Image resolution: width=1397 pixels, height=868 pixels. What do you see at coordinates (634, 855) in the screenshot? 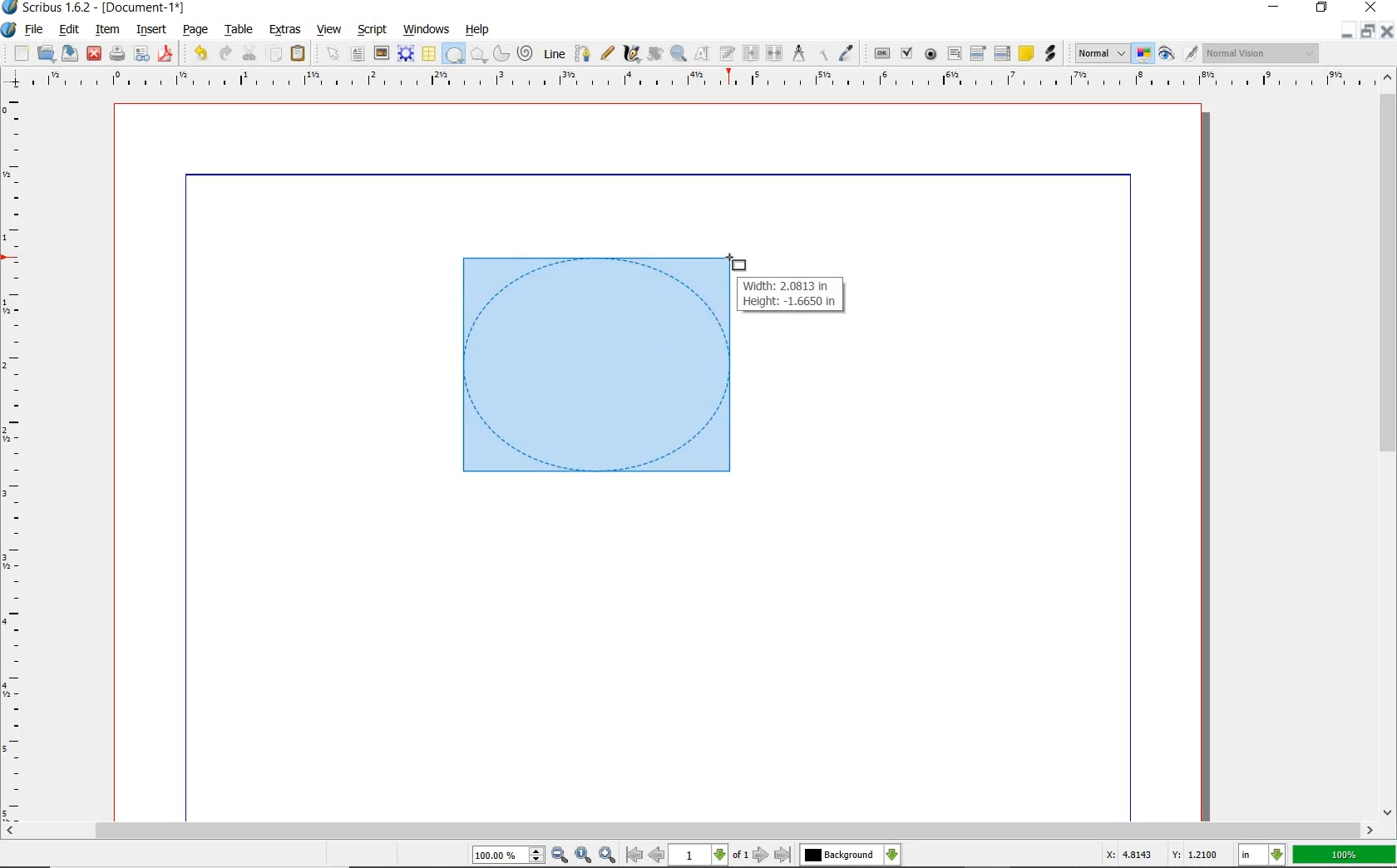
I see `first` at bounding box center [634, 855].